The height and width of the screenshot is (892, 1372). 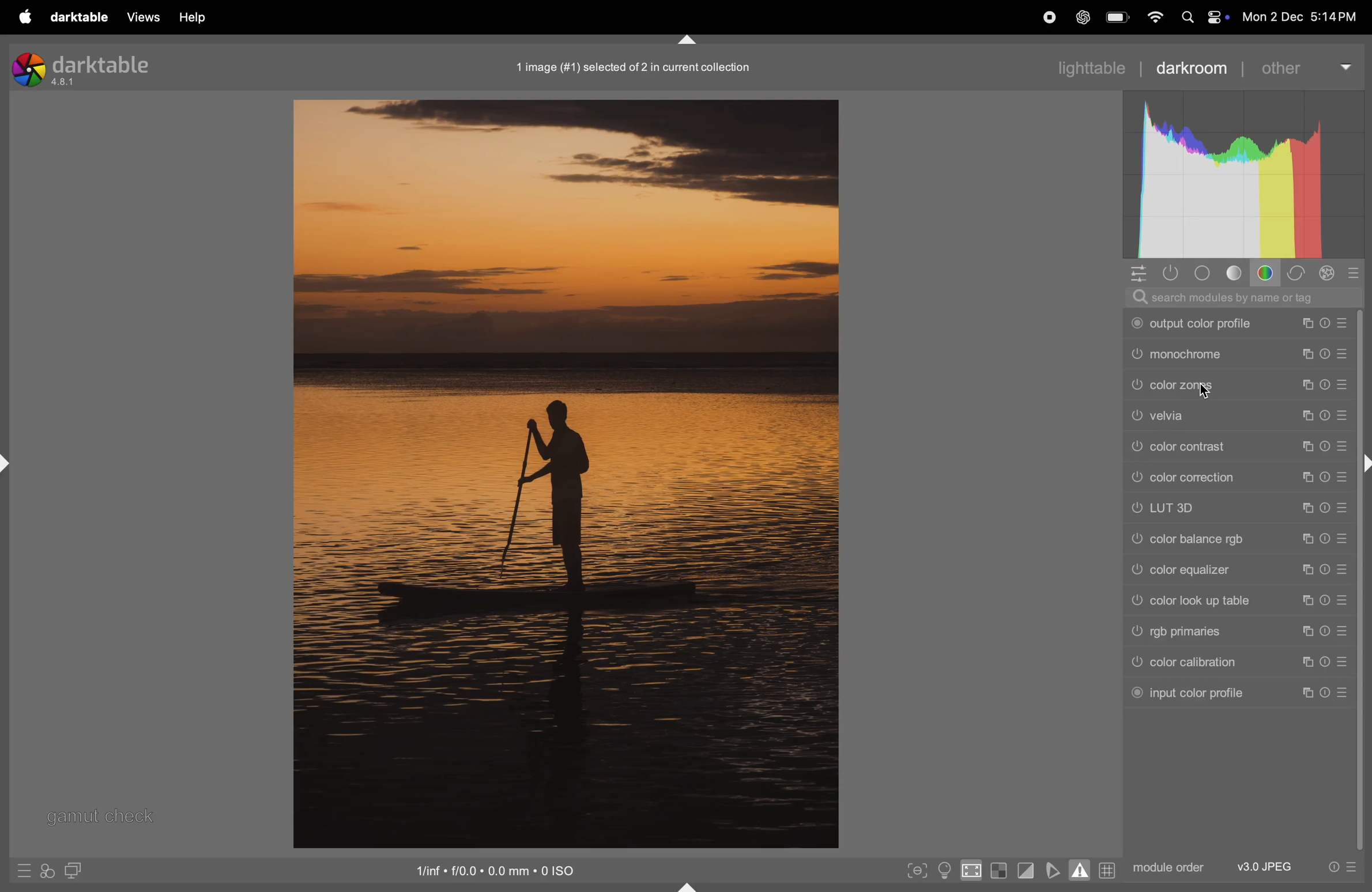 What do you see at coordinates (1196, 354) in the screenshot?
I see `monochrome` at bounding box center [1196, 354].